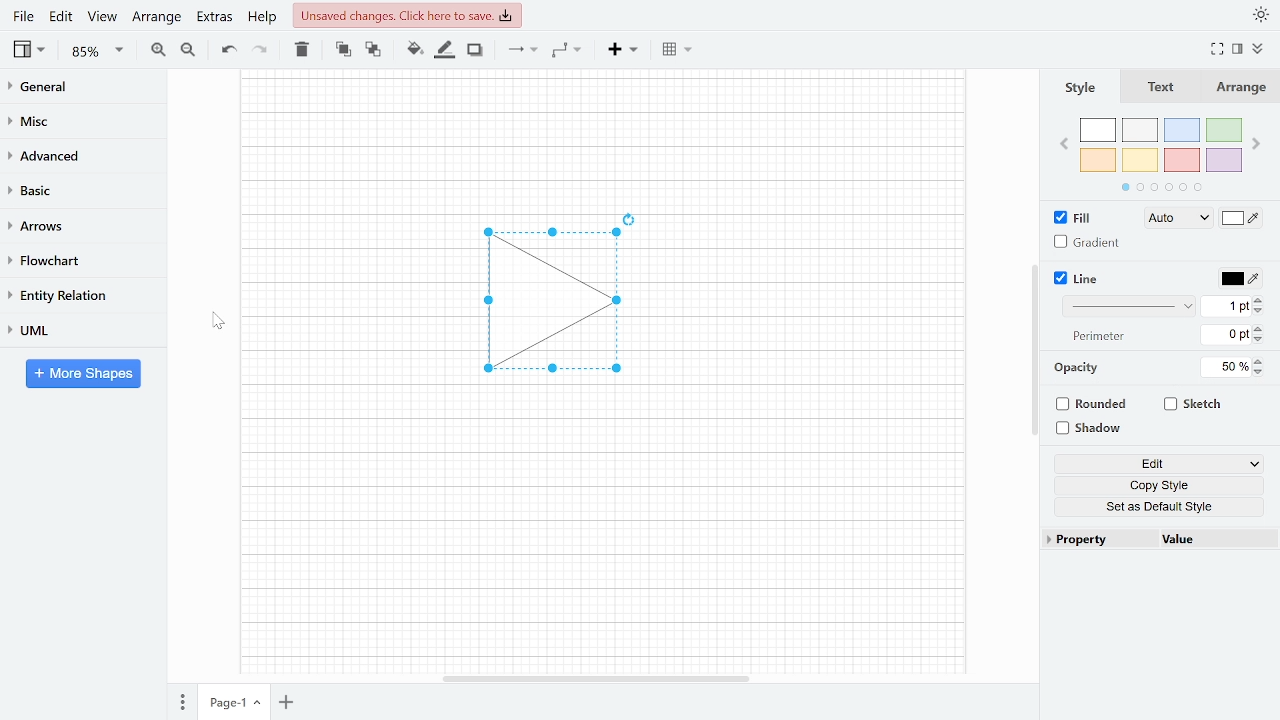  Describe the element at coordinates (1220, 49) in the screenshot. I see `Fullscreen` at that location.